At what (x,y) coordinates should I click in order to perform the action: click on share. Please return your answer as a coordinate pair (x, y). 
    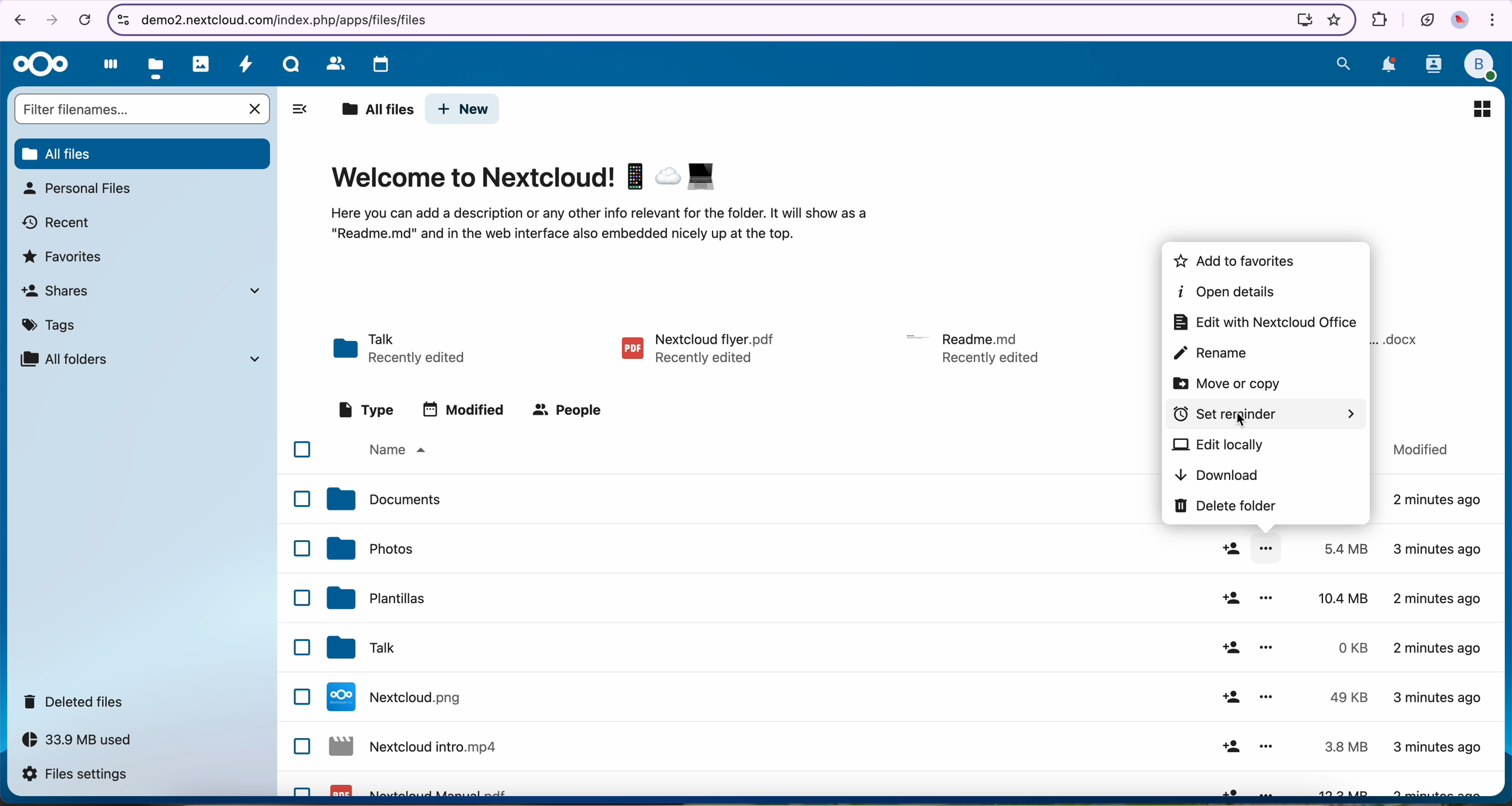
    Looking at the image, I should click on (1232, 788).